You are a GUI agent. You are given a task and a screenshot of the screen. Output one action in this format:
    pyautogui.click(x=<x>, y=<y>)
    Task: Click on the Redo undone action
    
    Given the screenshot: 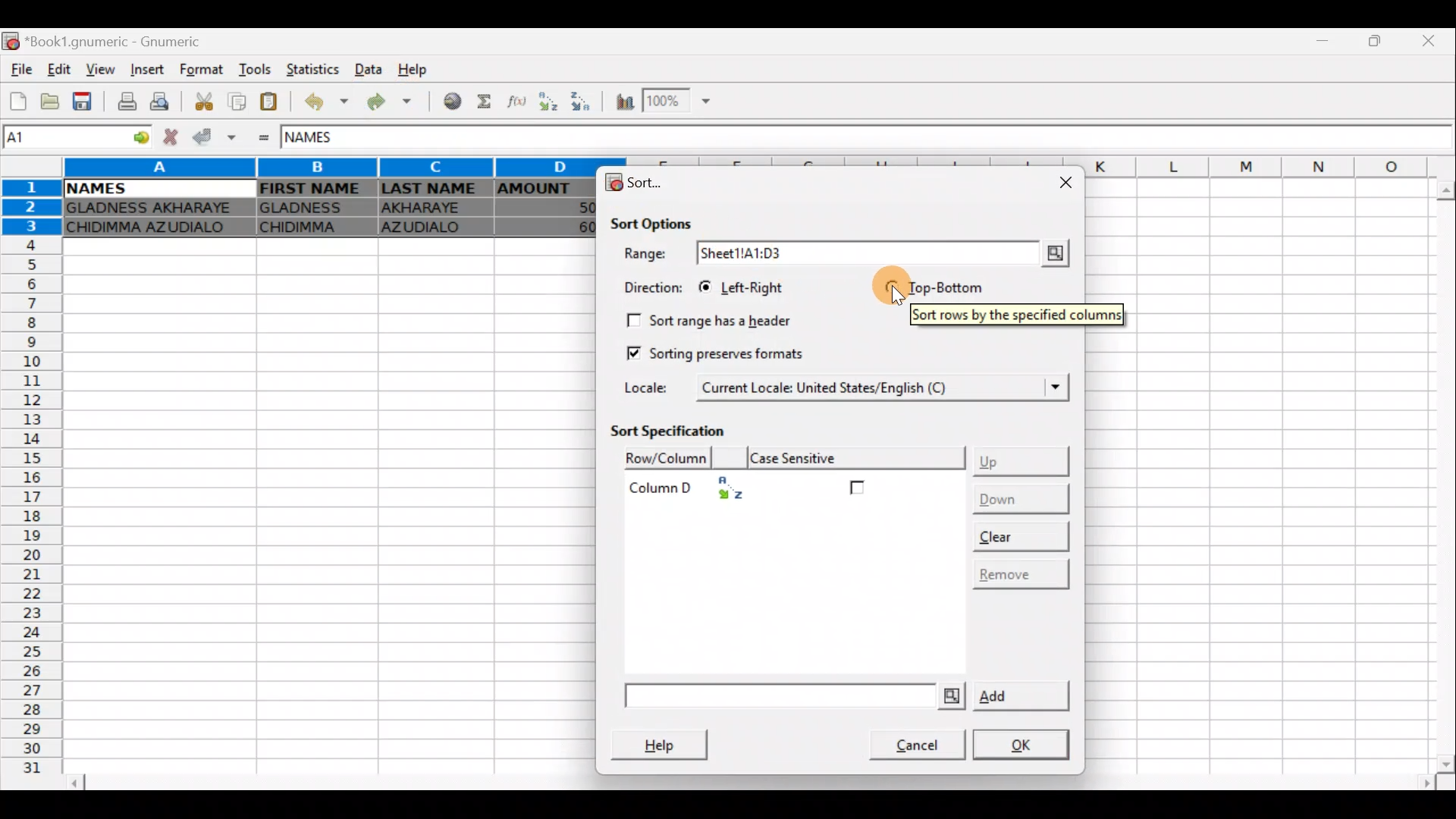 What is the action you would take?
    pyautogui.click(x=395, y=105)
    